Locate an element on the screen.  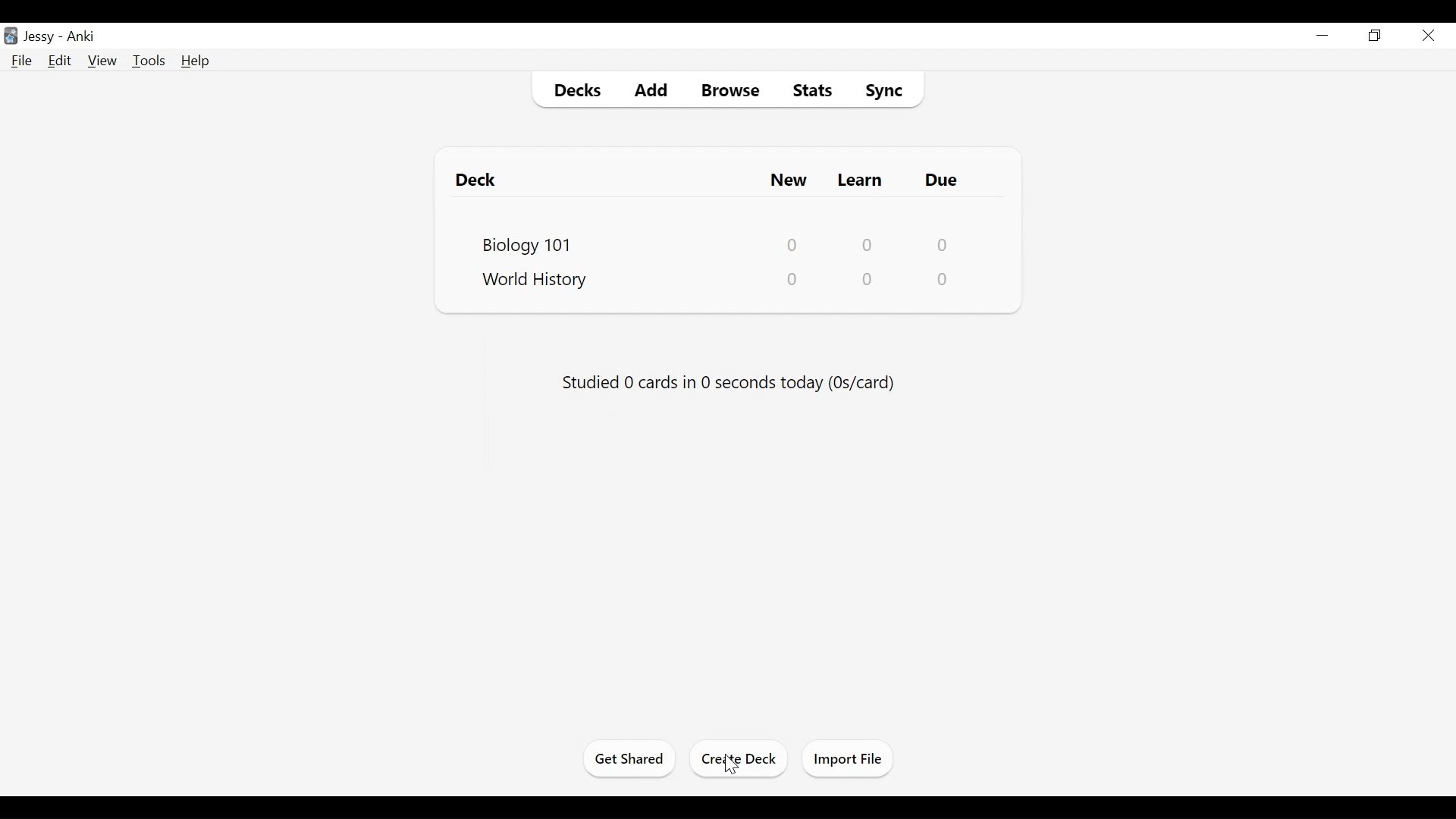
Deck is located at coordinates (482, 179).